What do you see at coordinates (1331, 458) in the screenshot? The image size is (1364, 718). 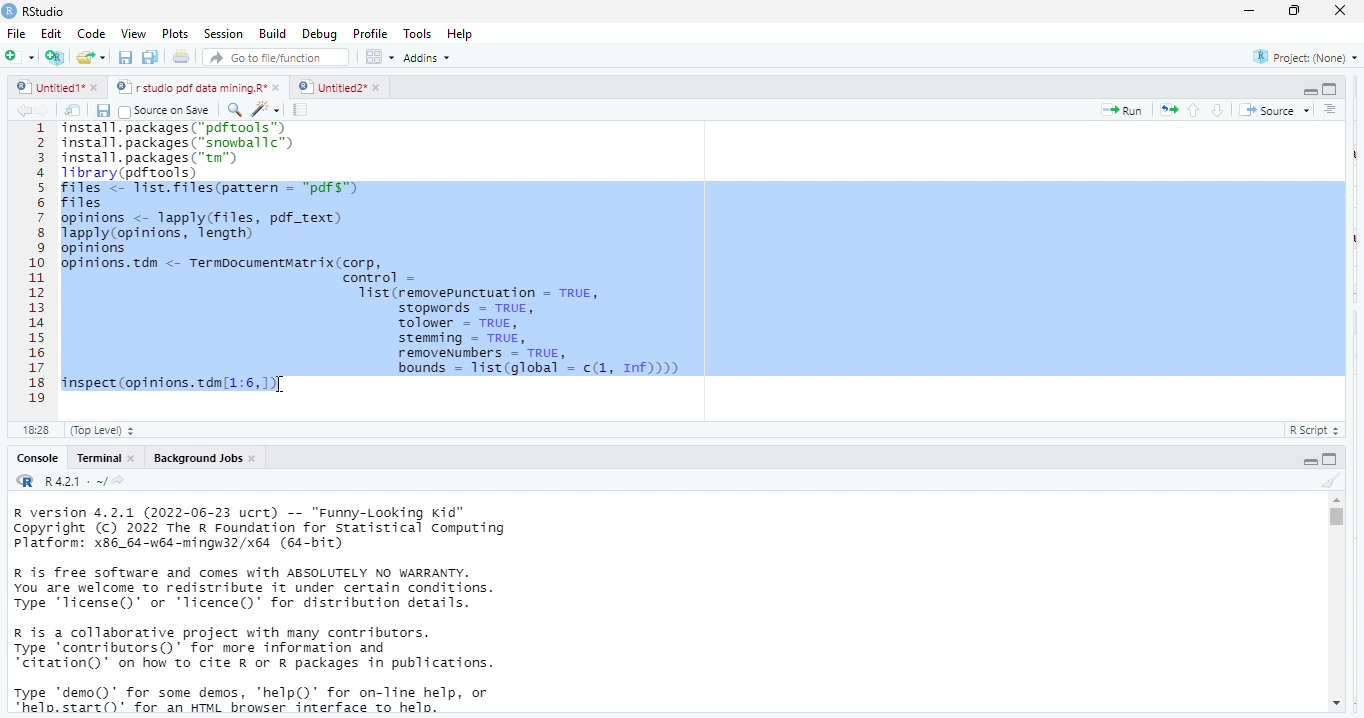 I see `hide console` at bounding box center [1331, 458].